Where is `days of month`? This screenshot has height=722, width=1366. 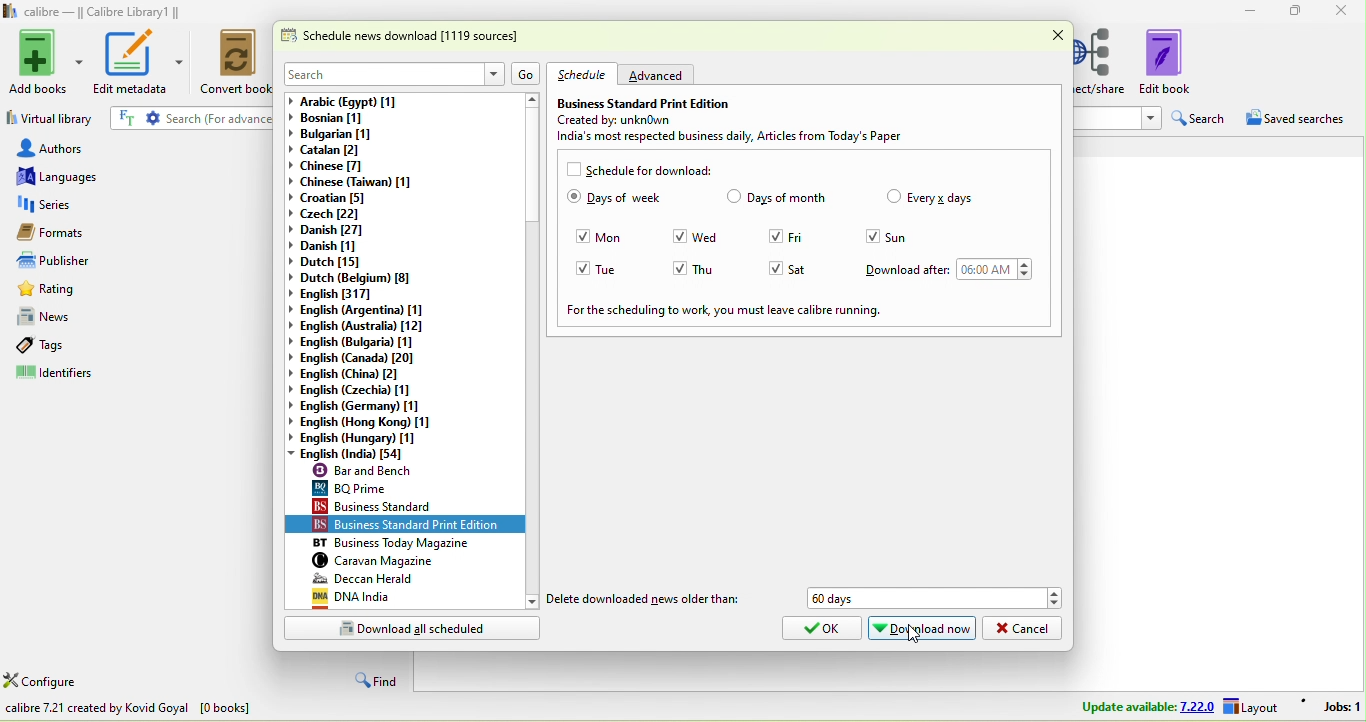 days of month is located at coordinates (789, 198).